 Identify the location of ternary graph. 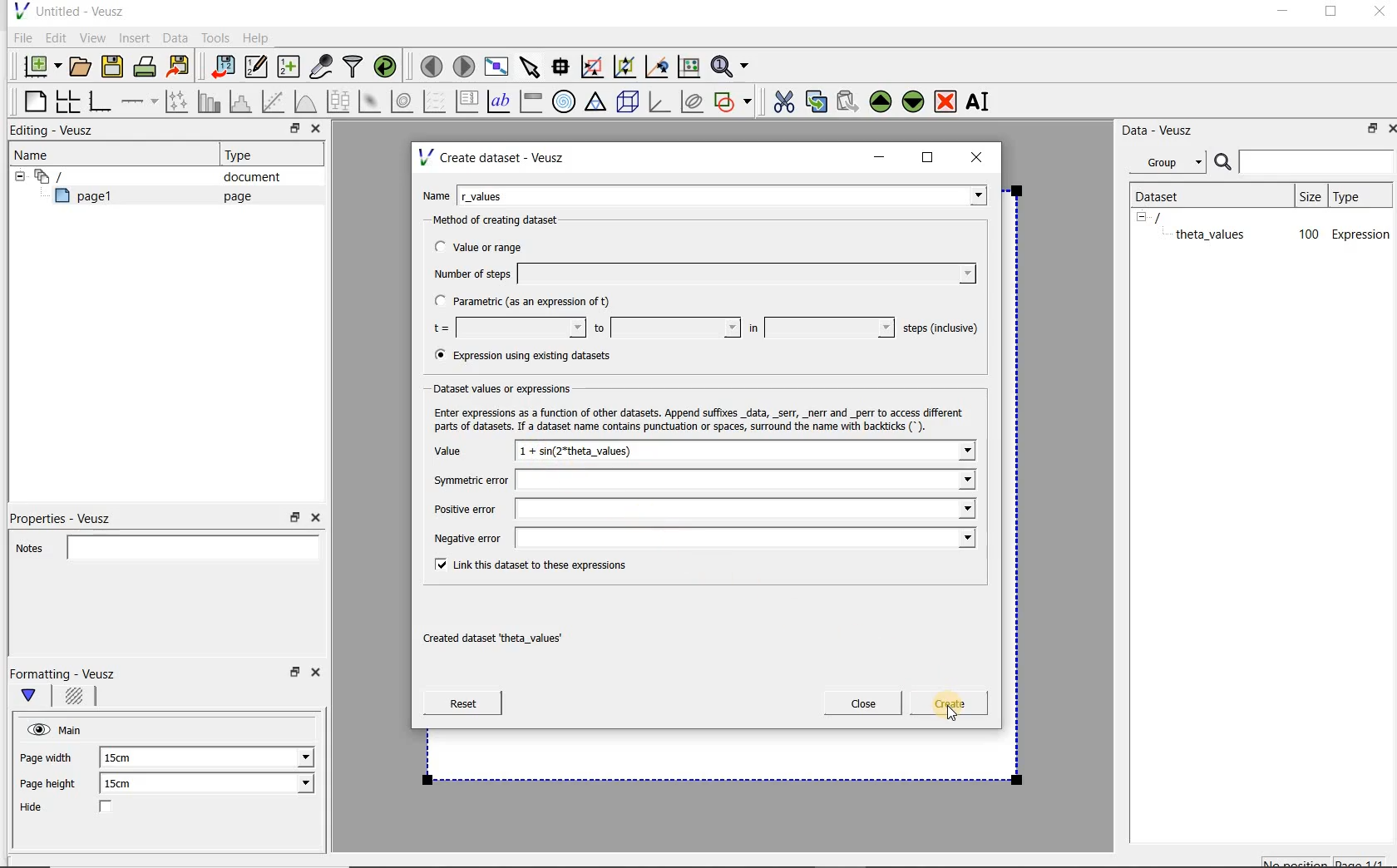
(597, 102).